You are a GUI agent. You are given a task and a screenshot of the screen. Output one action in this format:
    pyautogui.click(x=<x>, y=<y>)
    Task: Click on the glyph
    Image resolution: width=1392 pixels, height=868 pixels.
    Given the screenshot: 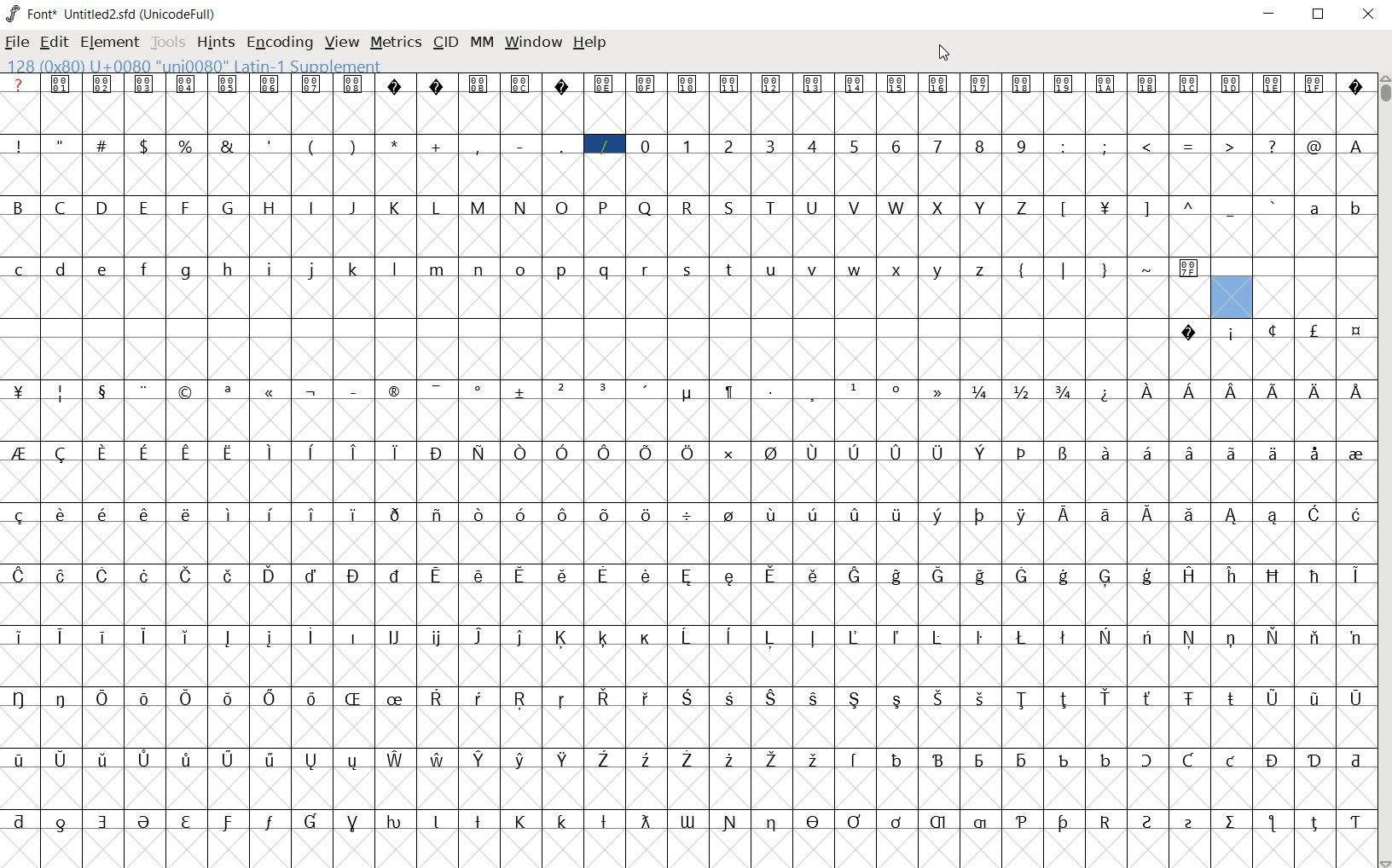 What is the action you would take?
    pyautogui.click(x=19, y=516)
    